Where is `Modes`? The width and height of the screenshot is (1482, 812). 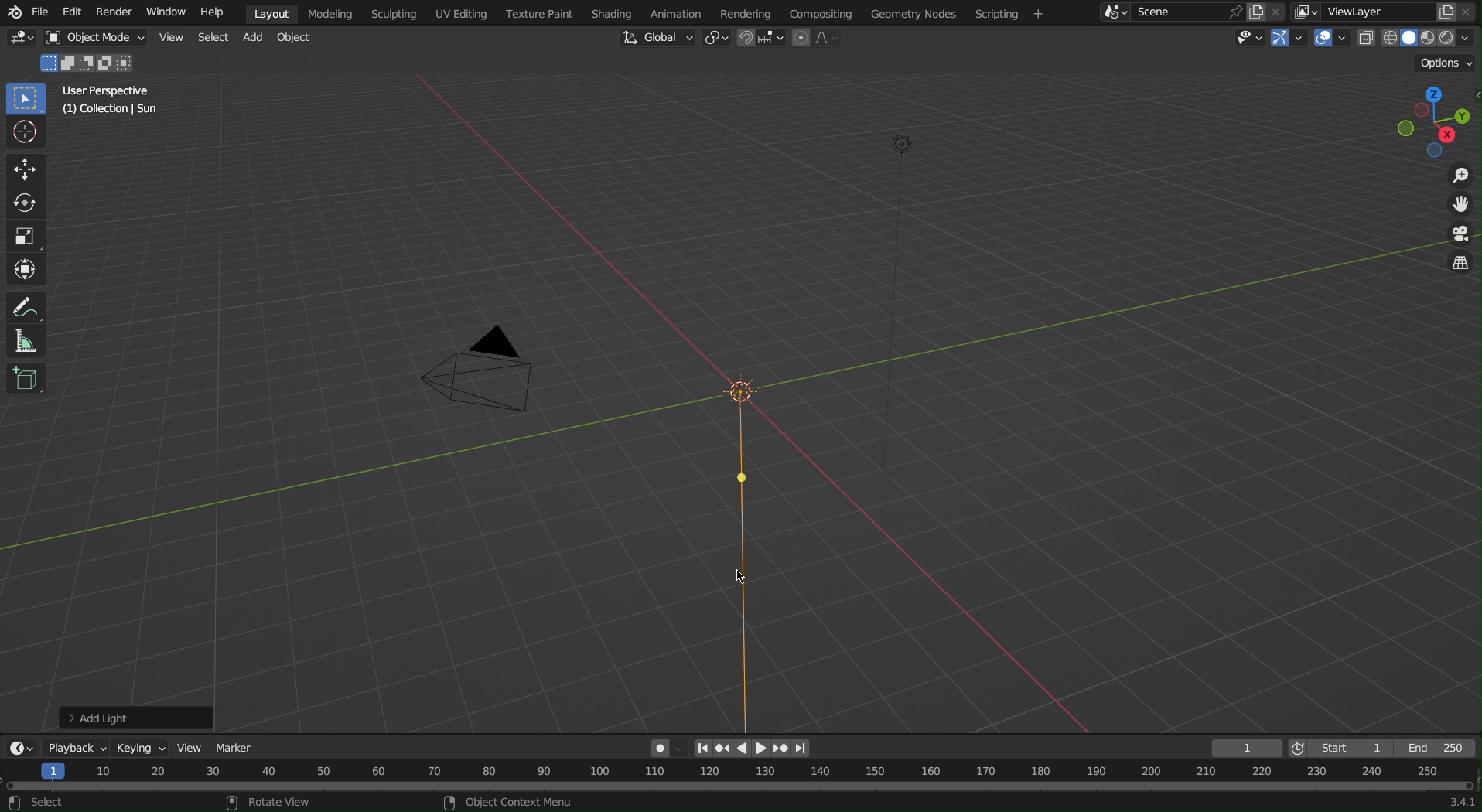
Modes is located at coordinates (91, 62).